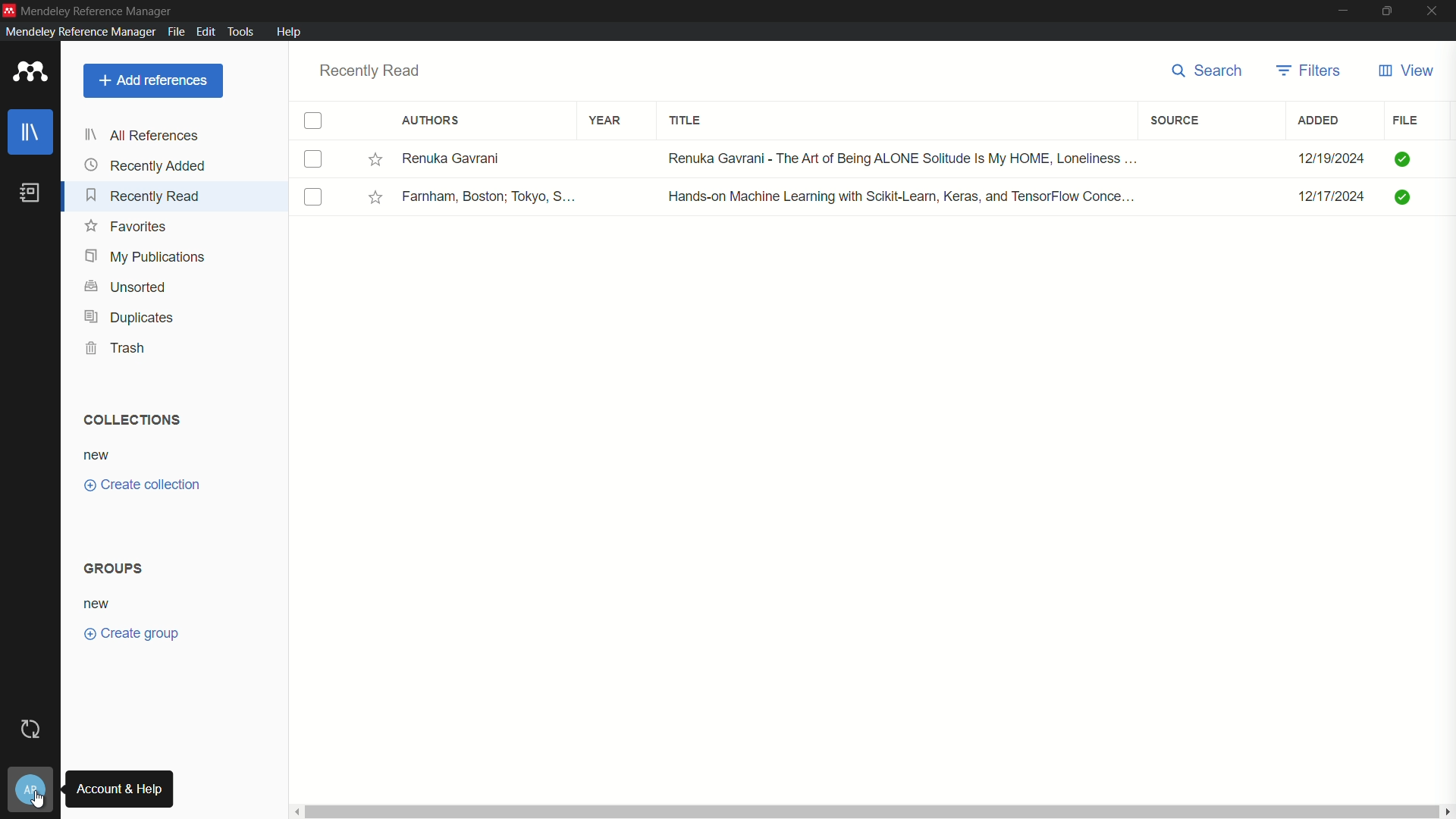 This screenshot has width=1456, height=819. What do you see at coordinates (206, 32) in the screenshot?
I see `edit menu` at bounding box center [206, 32].